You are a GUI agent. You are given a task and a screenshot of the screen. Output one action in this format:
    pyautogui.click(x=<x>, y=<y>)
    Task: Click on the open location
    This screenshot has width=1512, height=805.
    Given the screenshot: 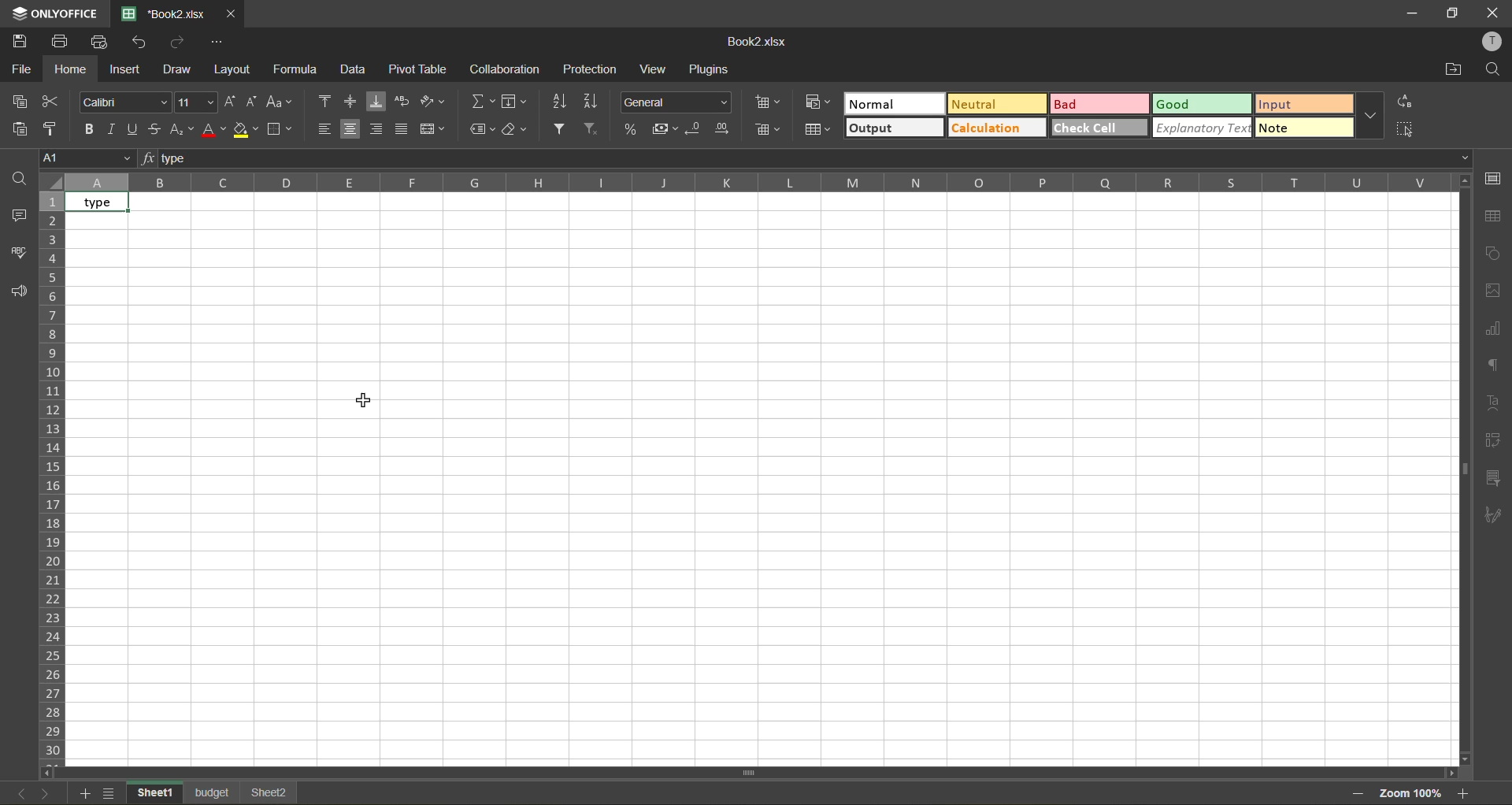 What is the action you would take?
    pyautogui.click(x=1447, y=70)
    